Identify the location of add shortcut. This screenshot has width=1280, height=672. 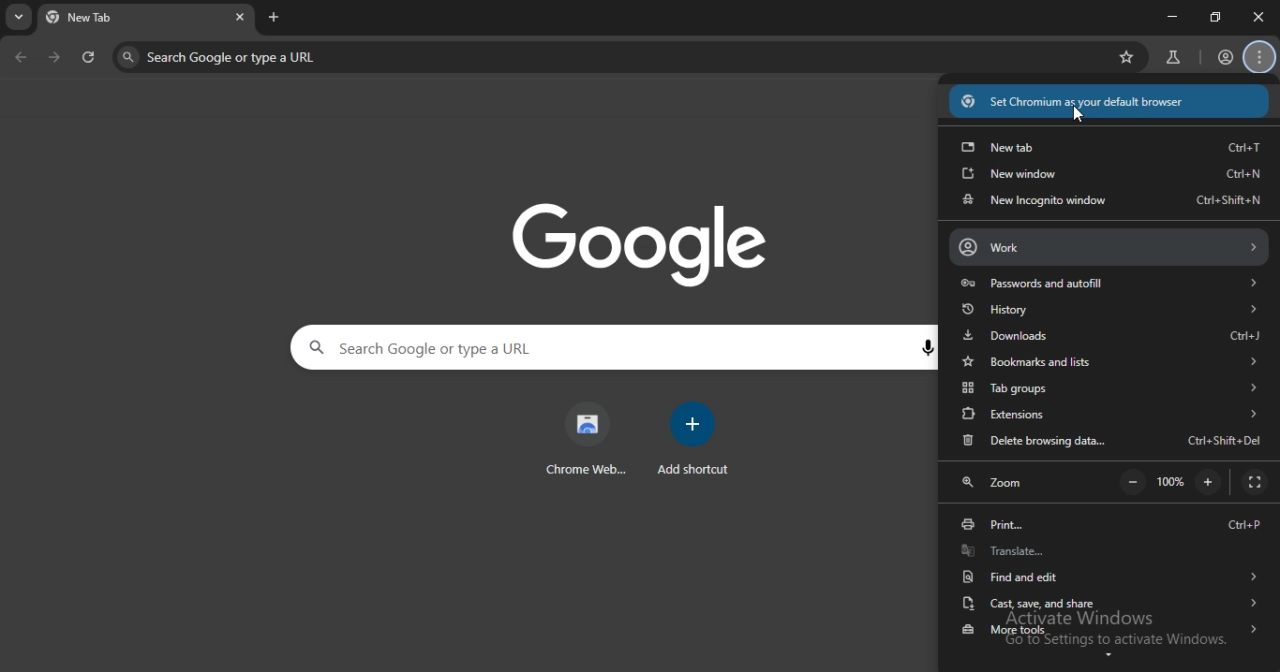
(698, 437).